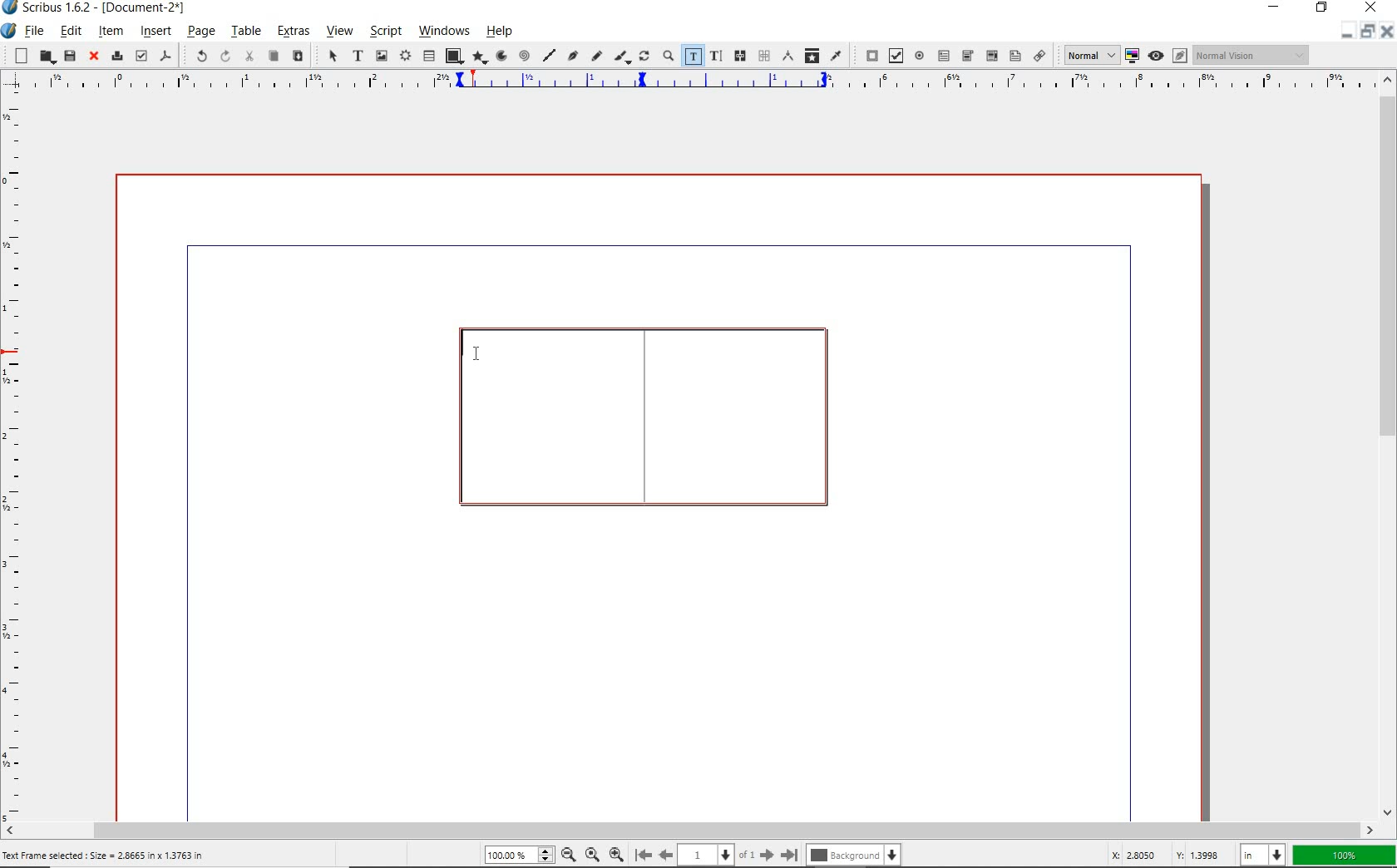 Image resolution: width=1397 pixels, height=868 pixels. I want to click on default zoom, so click(590, 853).